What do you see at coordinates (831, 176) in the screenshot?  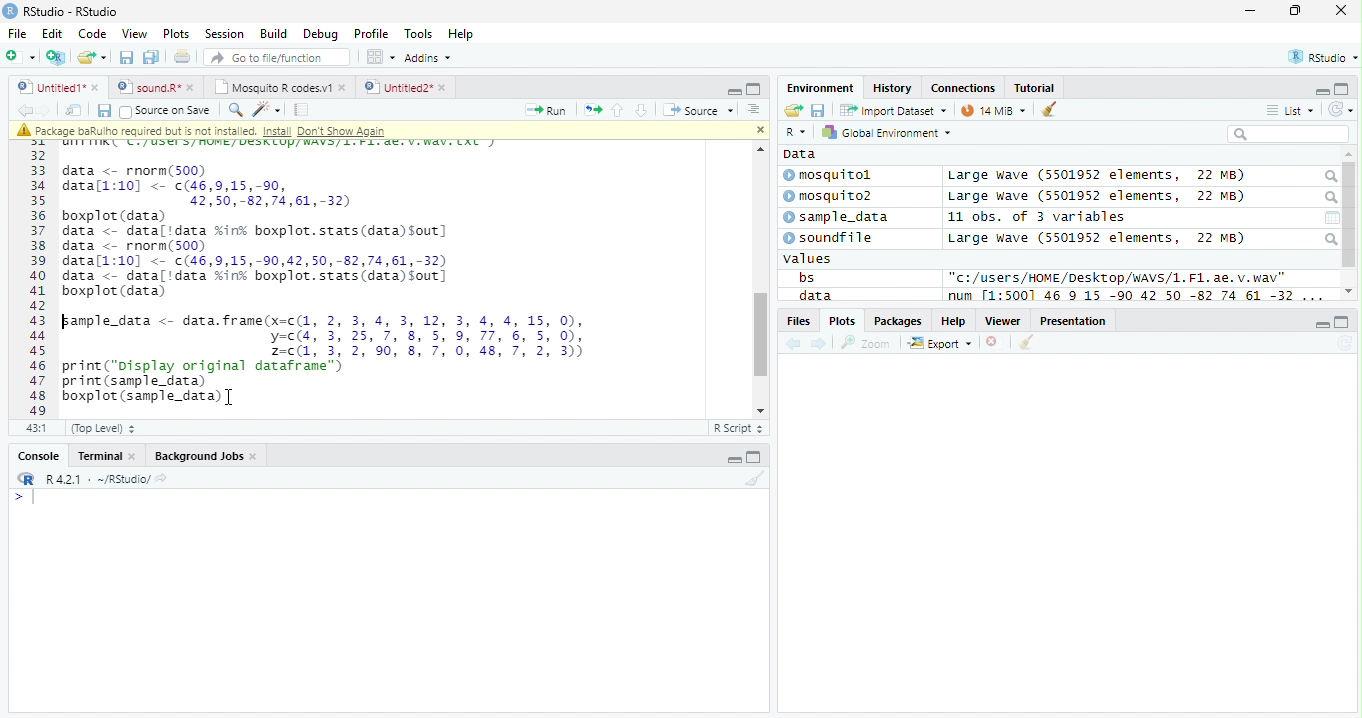 I see `mosquito1` at bounding box center [831, 176].